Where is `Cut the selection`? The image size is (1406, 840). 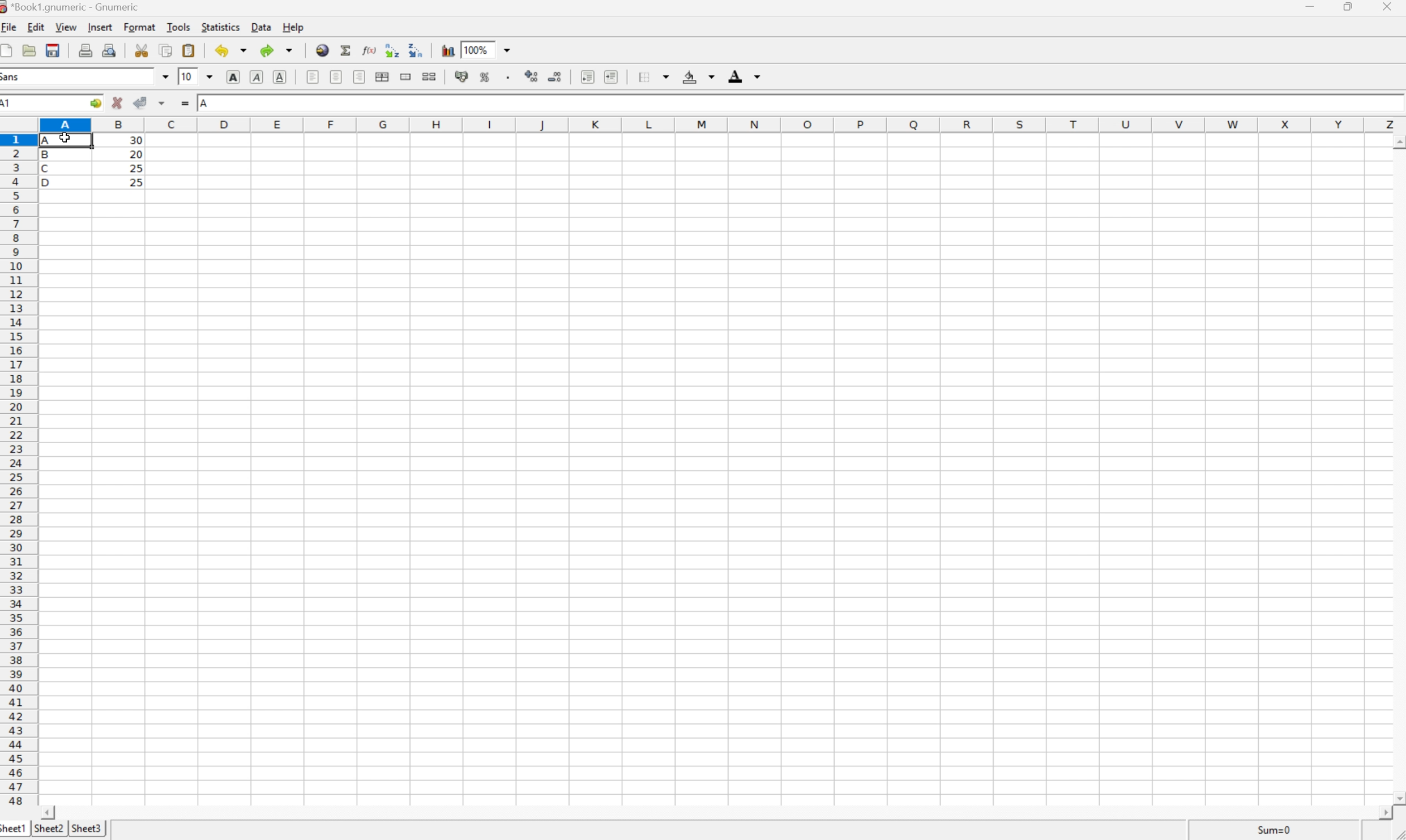 Cut the selection is located at coordinates (144, 50).